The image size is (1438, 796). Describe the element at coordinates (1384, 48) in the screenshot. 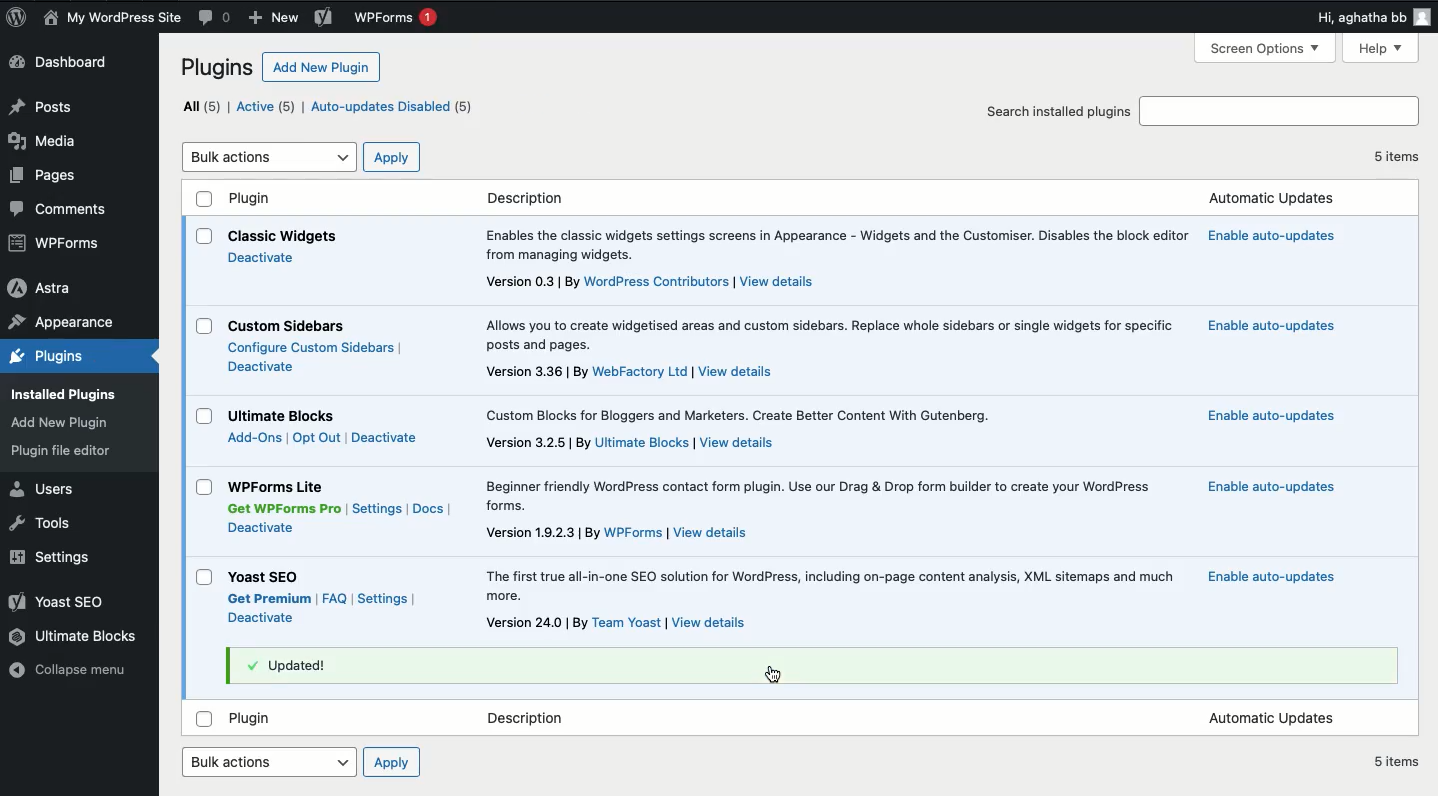

I see `Help` at that location.